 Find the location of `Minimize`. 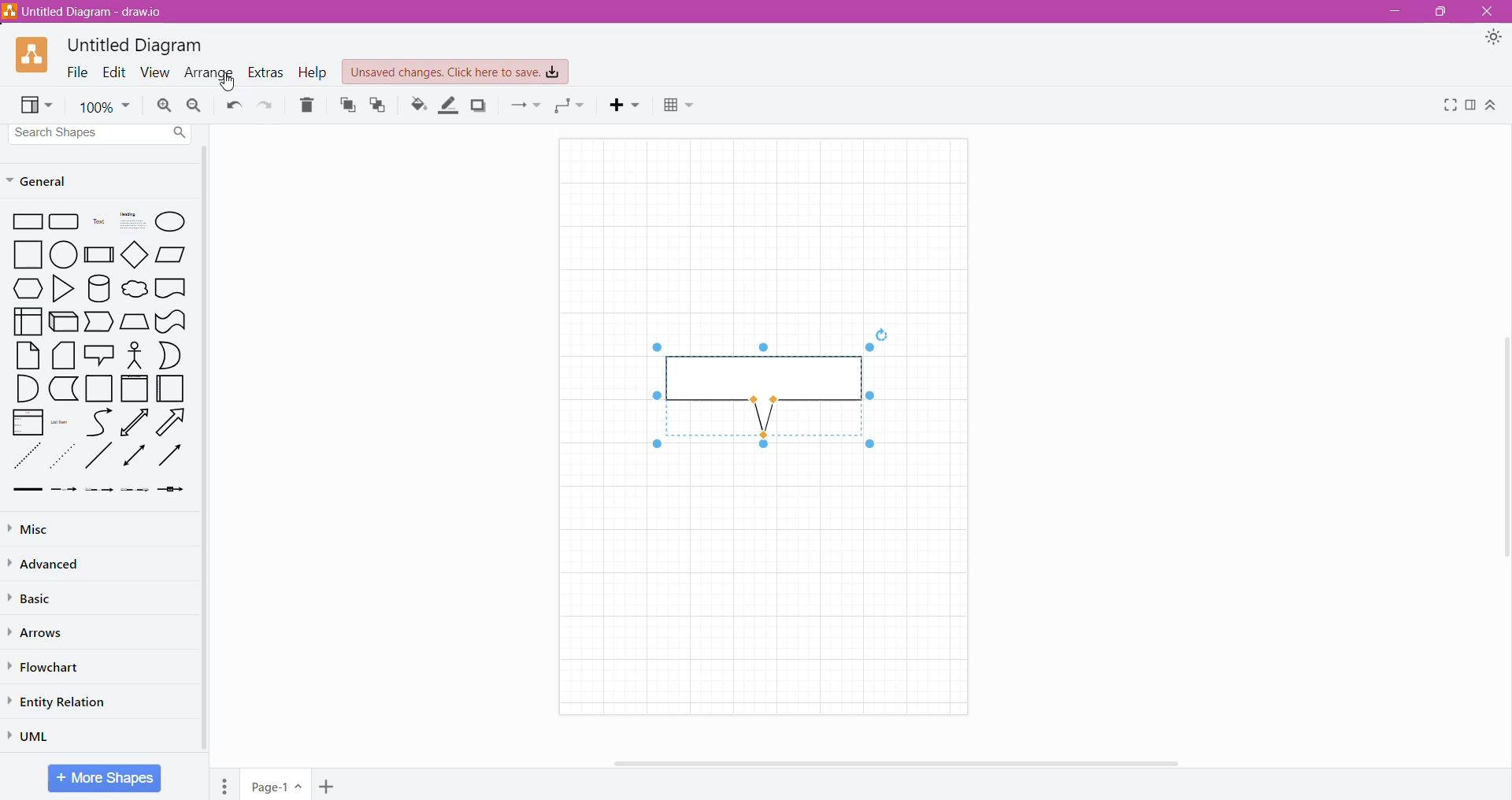

Minimize is located at coordinates (1392, 12).